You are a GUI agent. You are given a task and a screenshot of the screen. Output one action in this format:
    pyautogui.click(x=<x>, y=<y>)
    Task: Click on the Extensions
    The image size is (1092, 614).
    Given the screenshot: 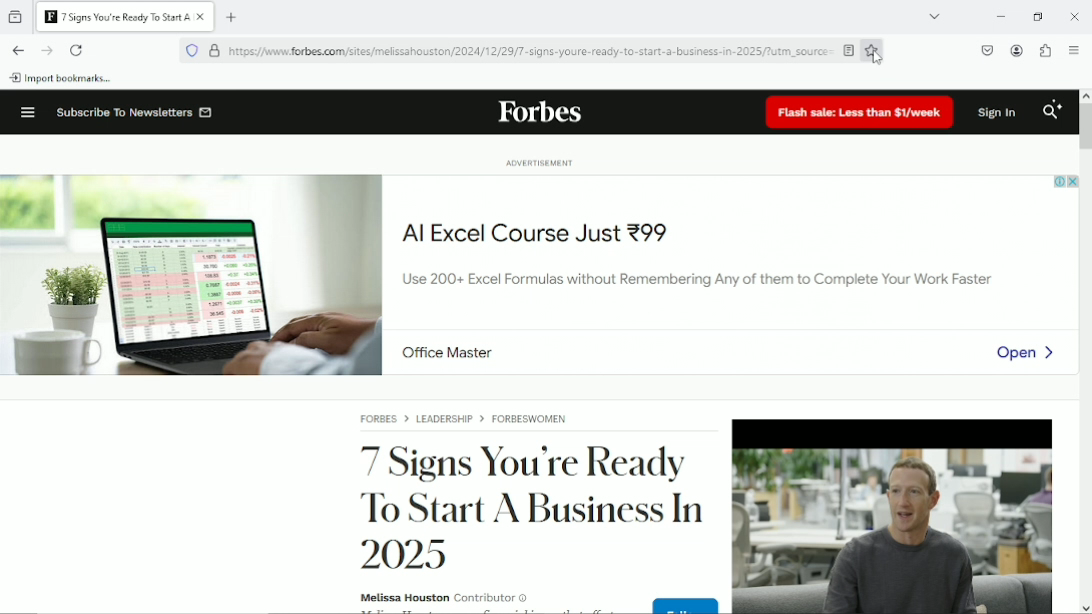 What is the action you would take?
    pyautogui.click(x=1046, y=50)
    